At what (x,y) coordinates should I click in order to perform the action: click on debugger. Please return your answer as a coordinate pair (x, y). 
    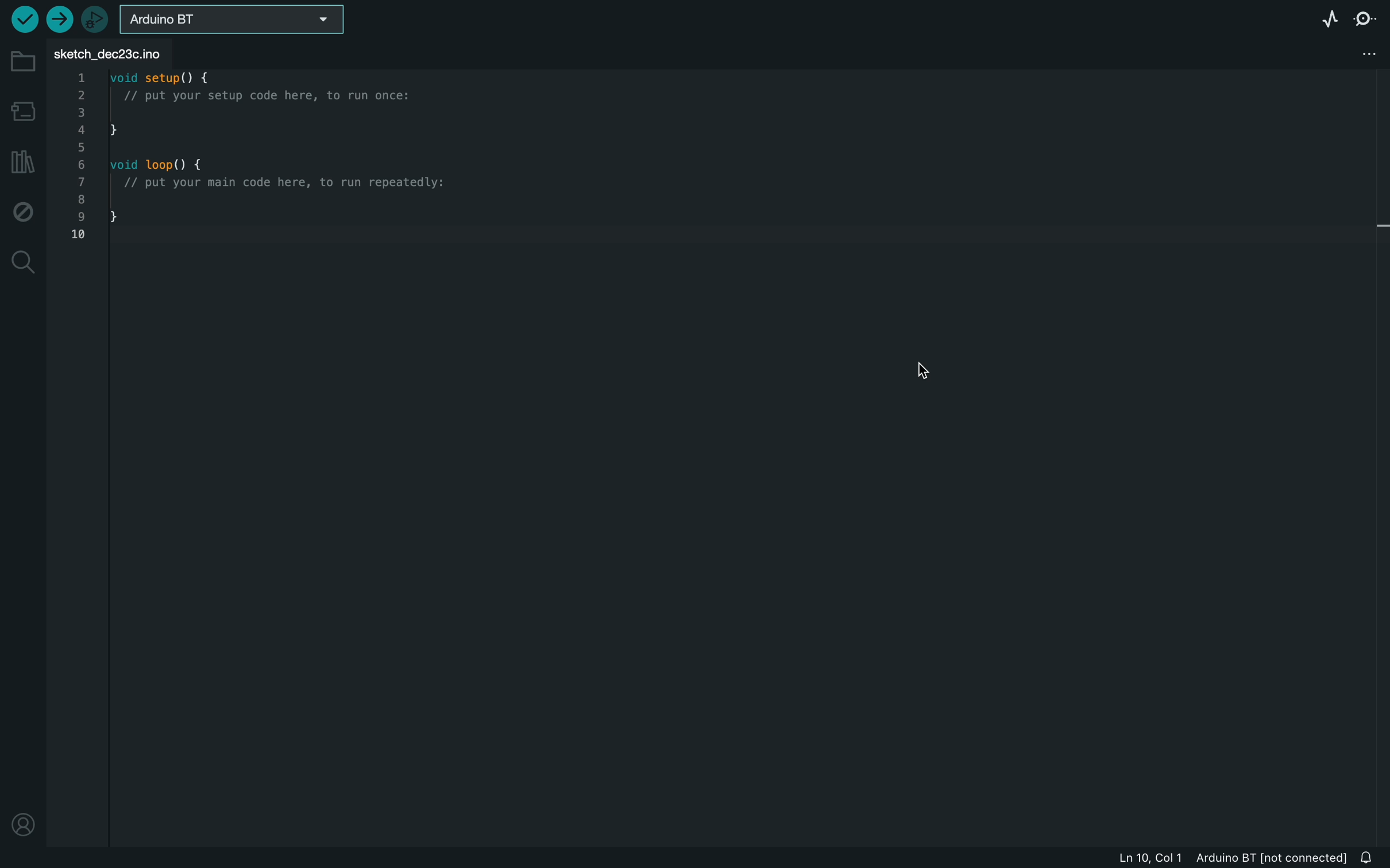
    Looking at the image, I should click on (95, 18).